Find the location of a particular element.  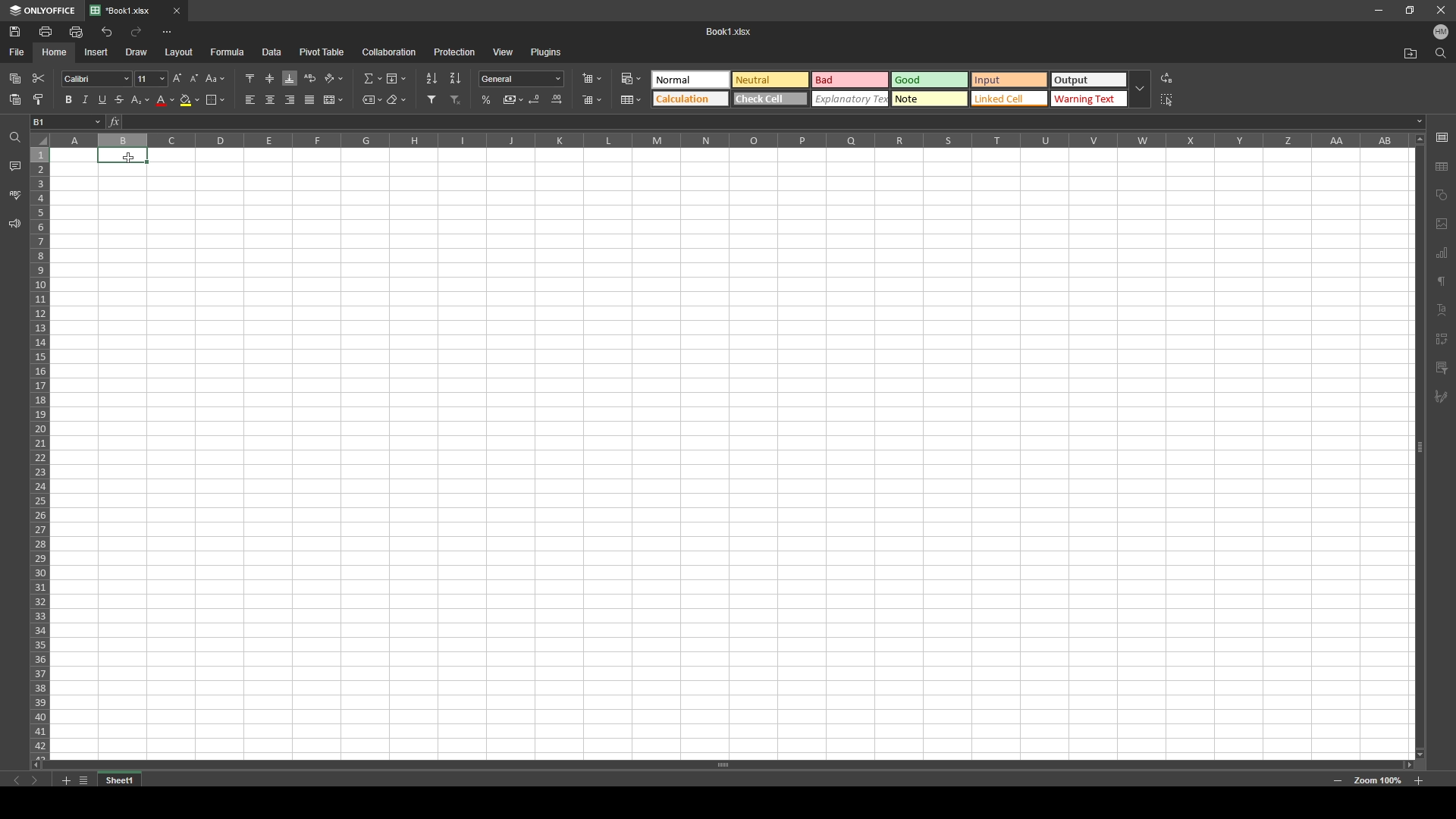

decrement font size is located at coordinates (195, 80).